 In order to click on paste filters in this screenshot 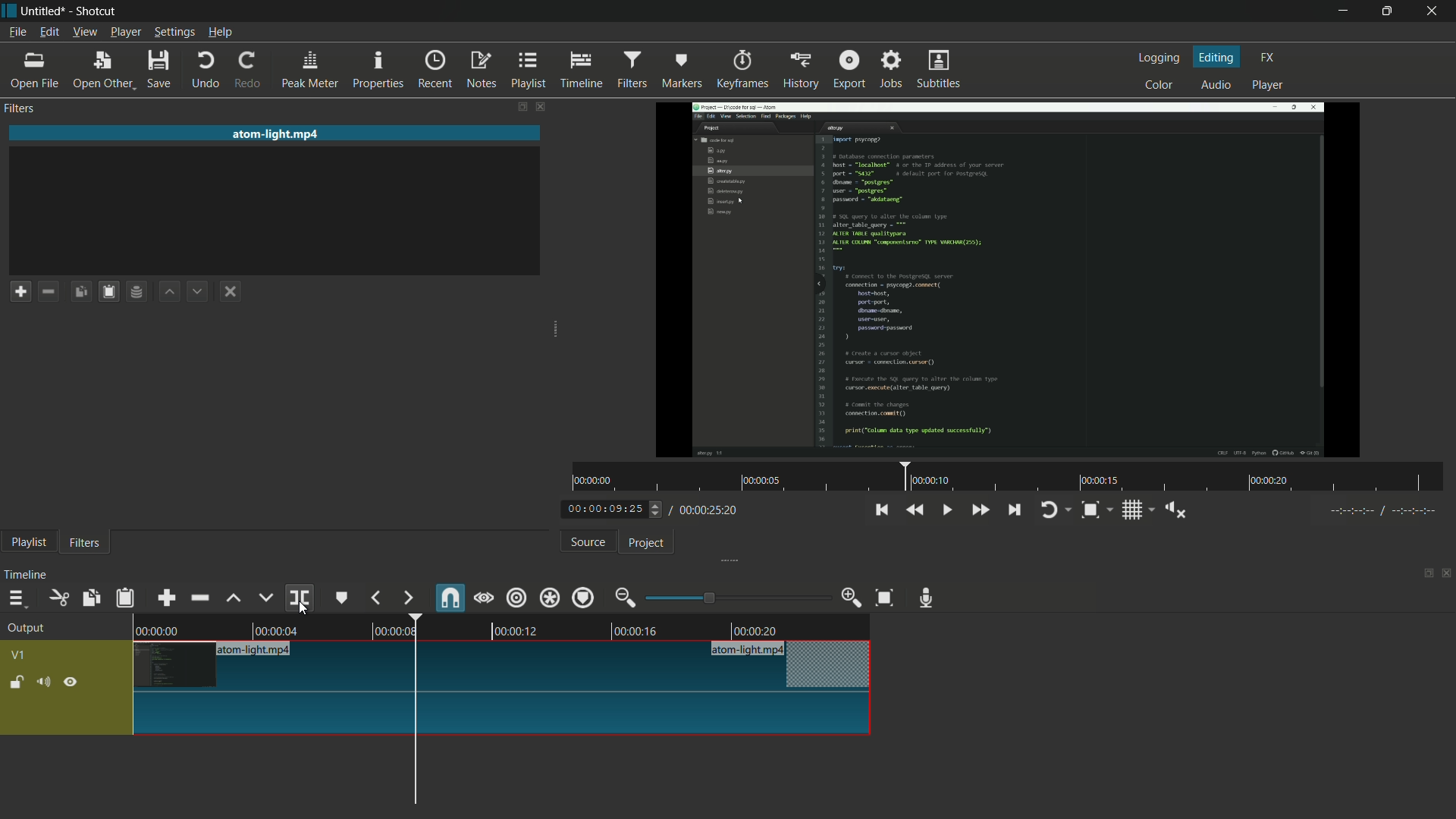, I will do `click(127, 598)`.